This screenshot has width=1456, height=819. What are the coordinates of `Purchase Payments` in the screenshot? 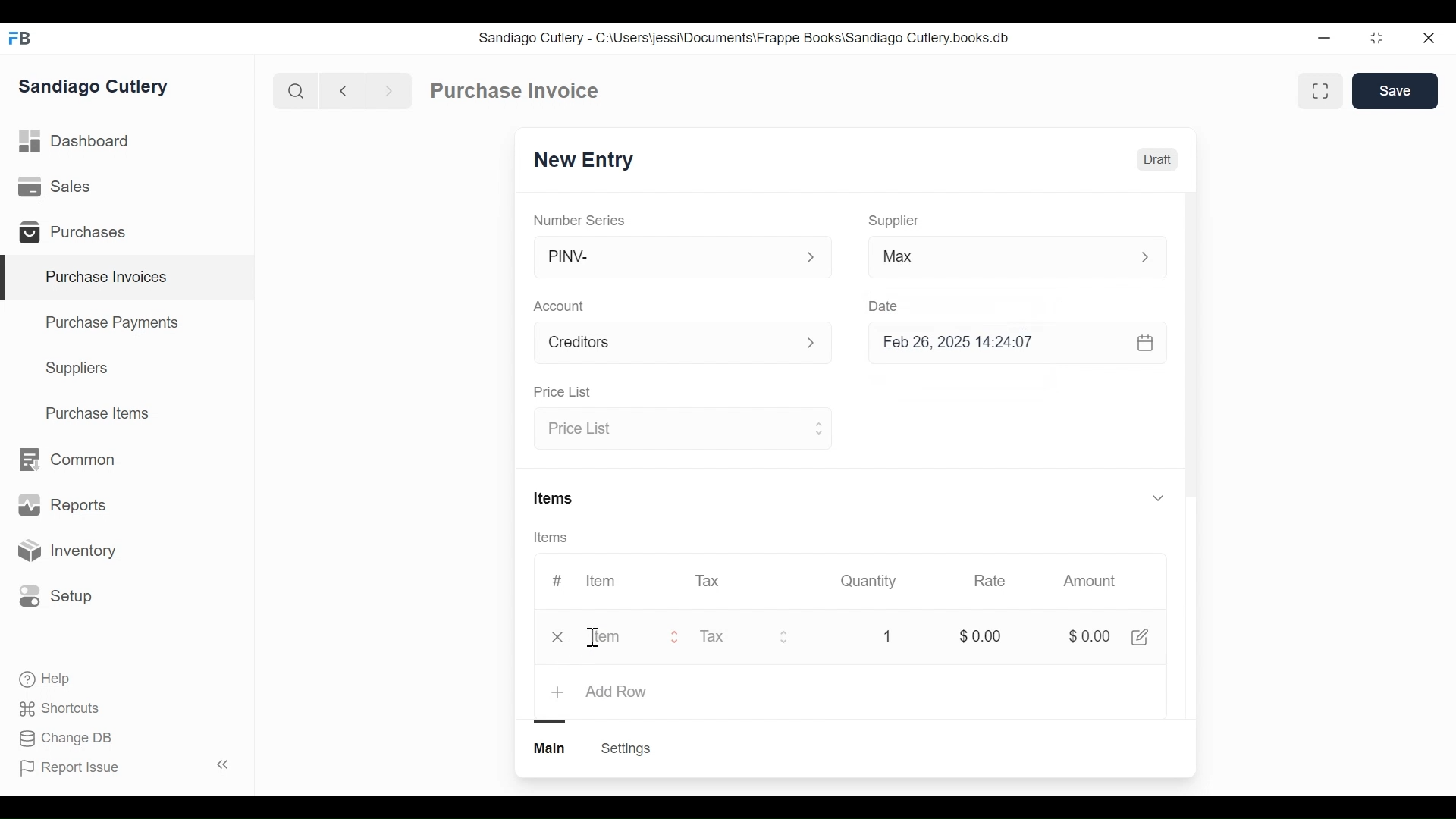 It's located at (115, 325).